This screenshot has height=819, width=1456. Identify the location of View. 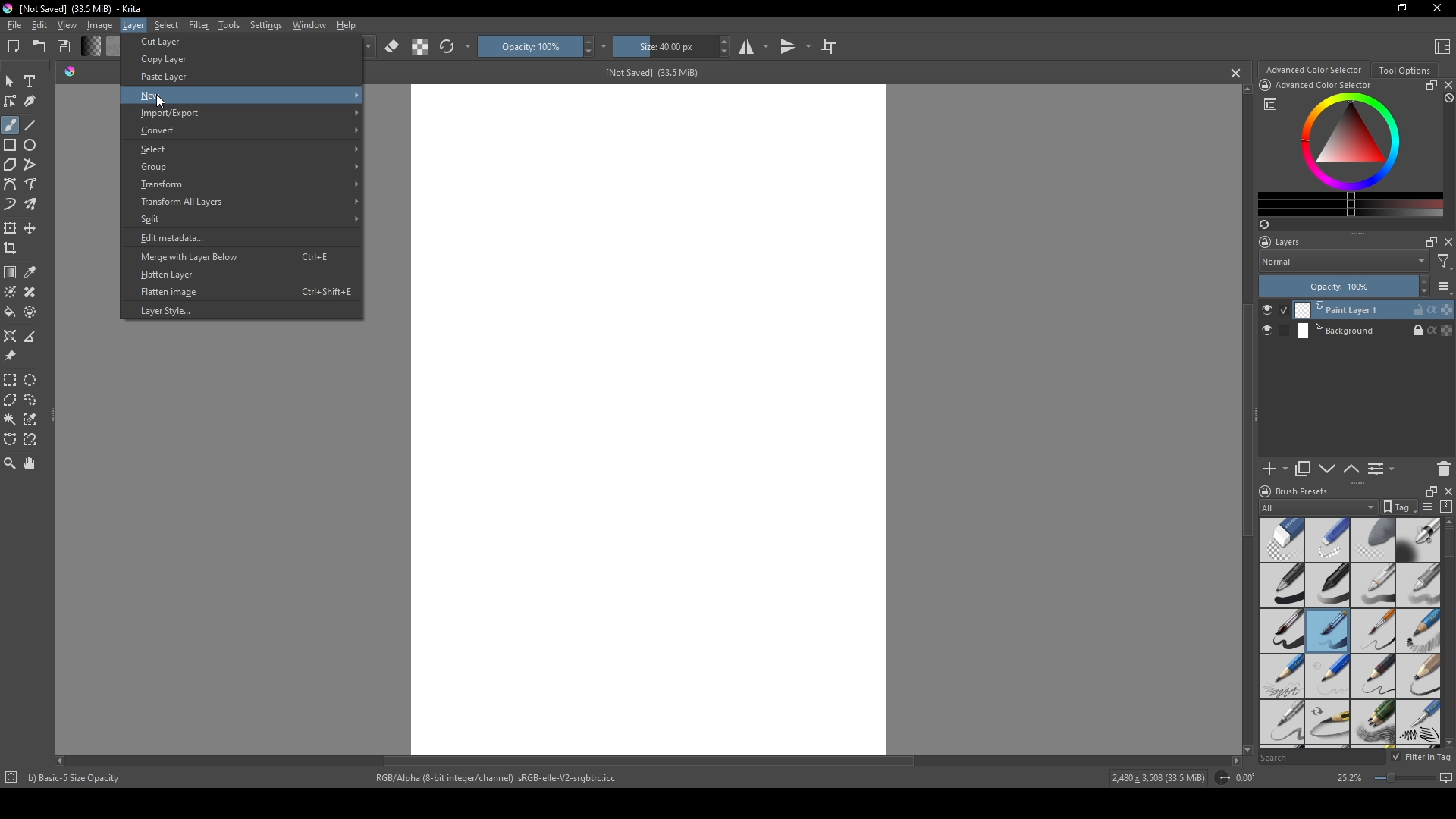
(67, 25).